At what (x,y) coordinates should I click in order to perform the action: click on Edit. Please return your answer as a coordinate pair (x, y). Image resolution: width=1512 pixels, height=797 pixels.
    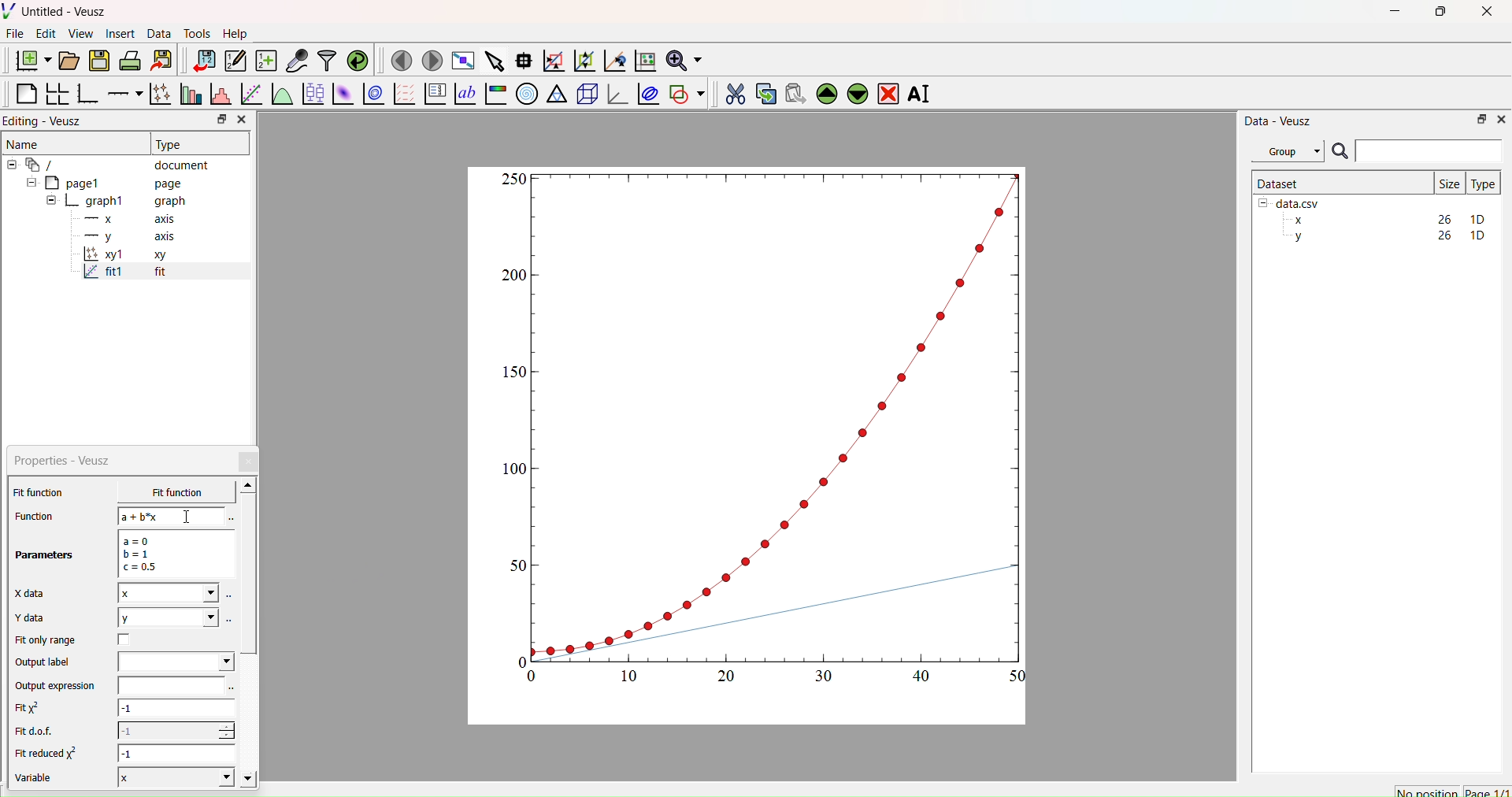
    Looking at the image, I should click on (44, 33).